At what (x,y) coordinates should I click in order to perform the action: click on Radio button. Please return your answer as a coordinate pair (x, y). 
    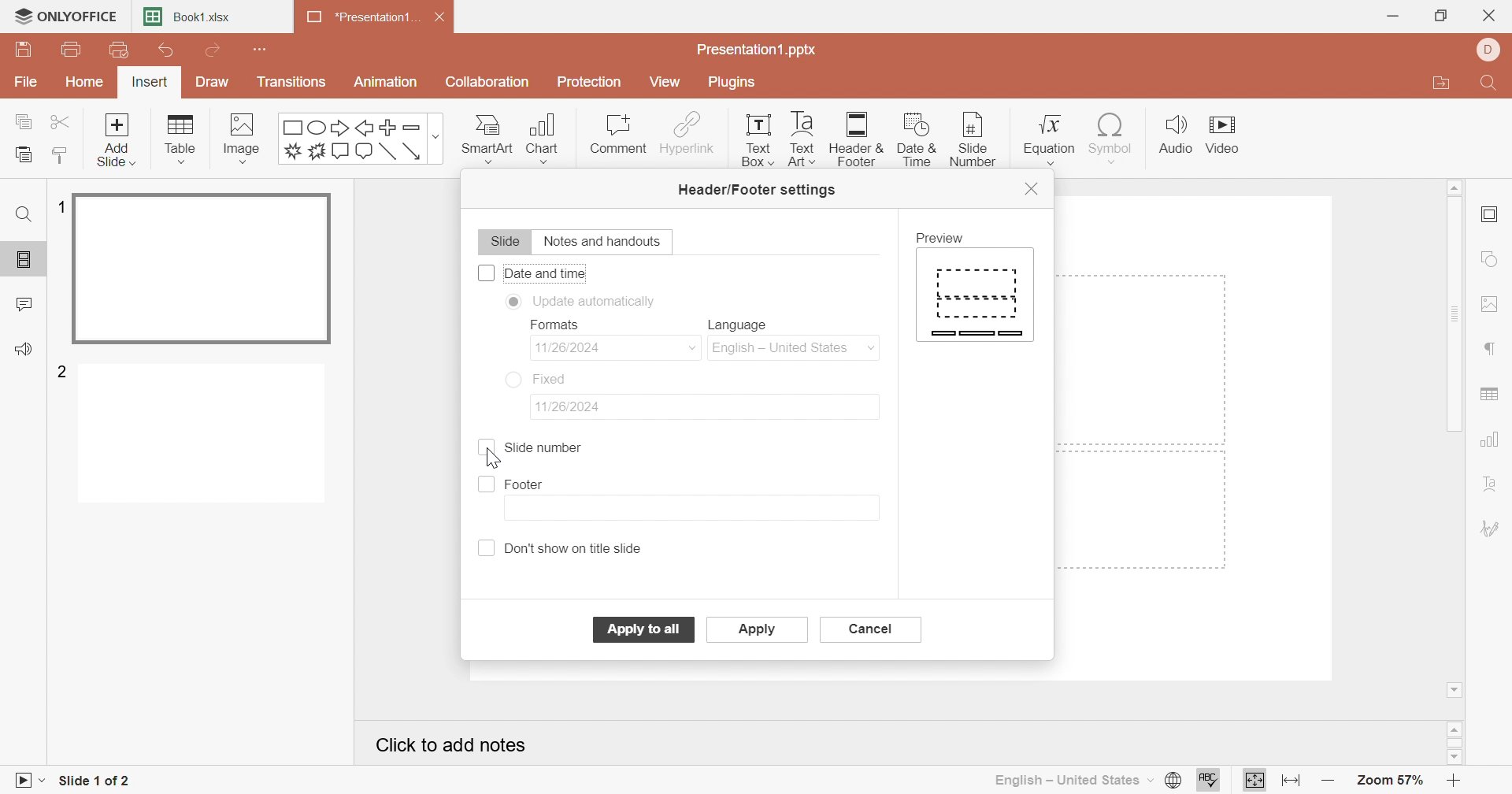
    Looking at the image, I should click on (513, 378).